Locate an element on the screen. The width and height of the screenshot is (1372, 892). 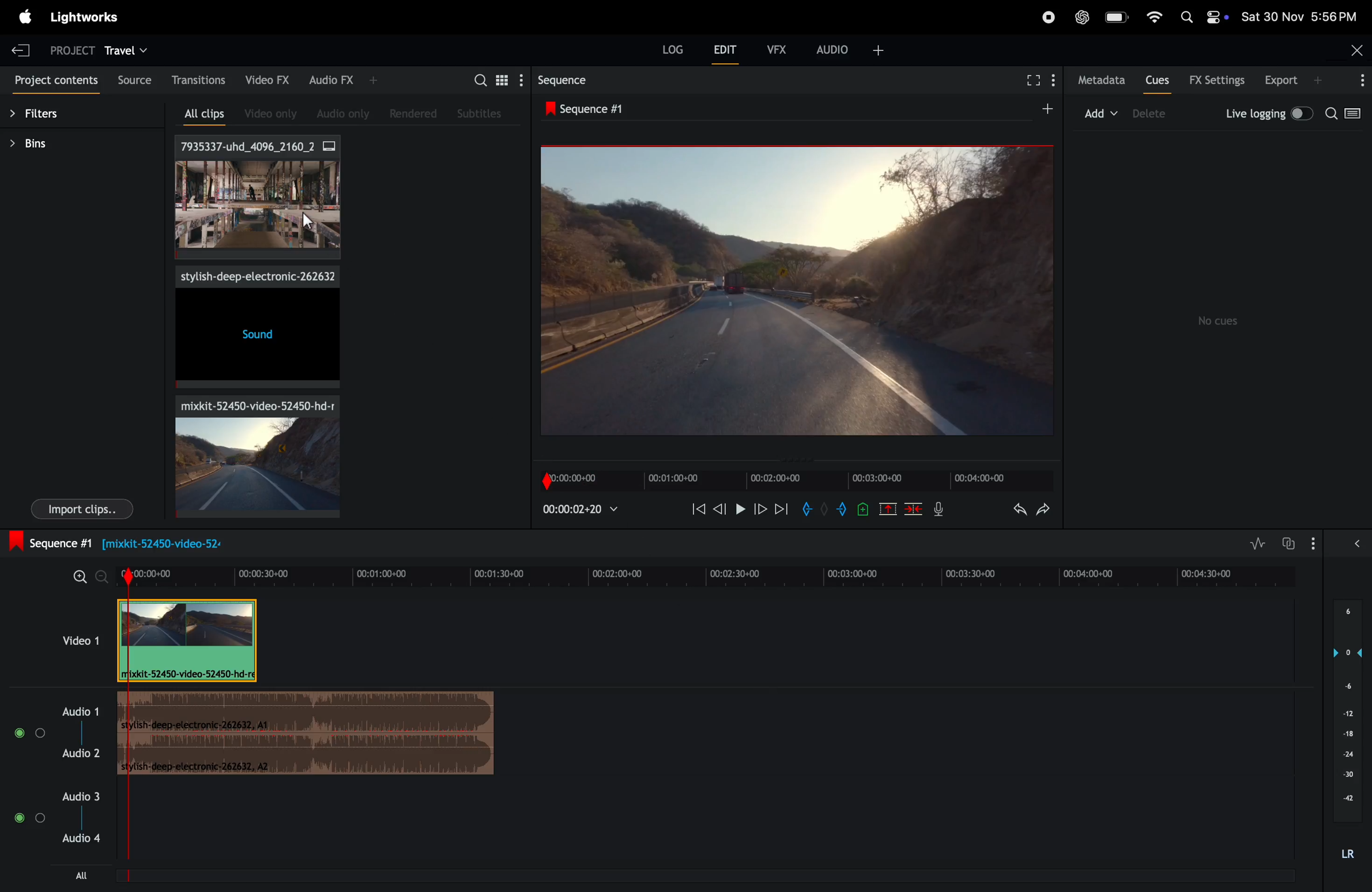
audip track is located at coordinates (309, 735).